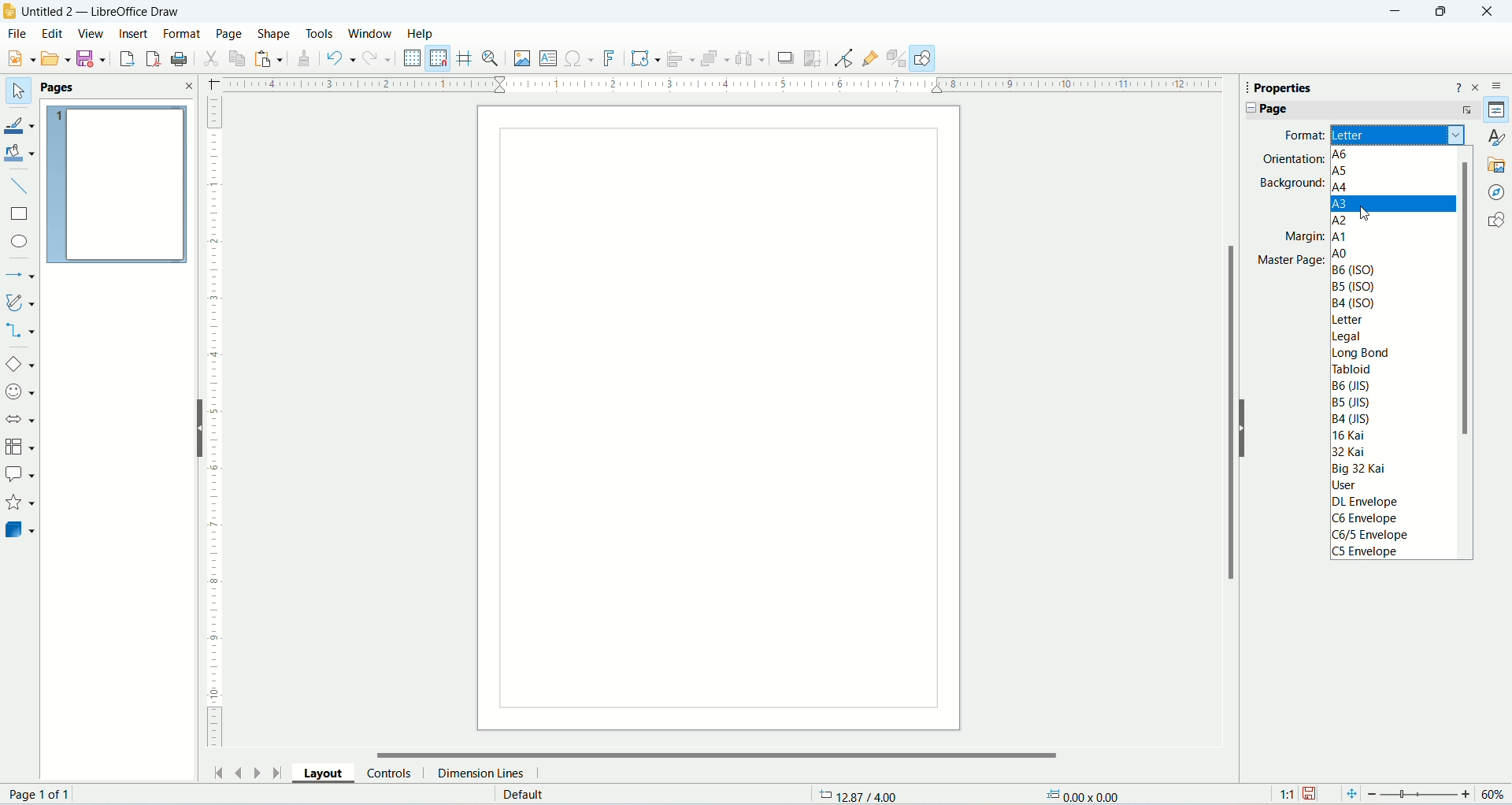 This screenshot has width=1512, height=805. I want to click on window, so click(370, 33).